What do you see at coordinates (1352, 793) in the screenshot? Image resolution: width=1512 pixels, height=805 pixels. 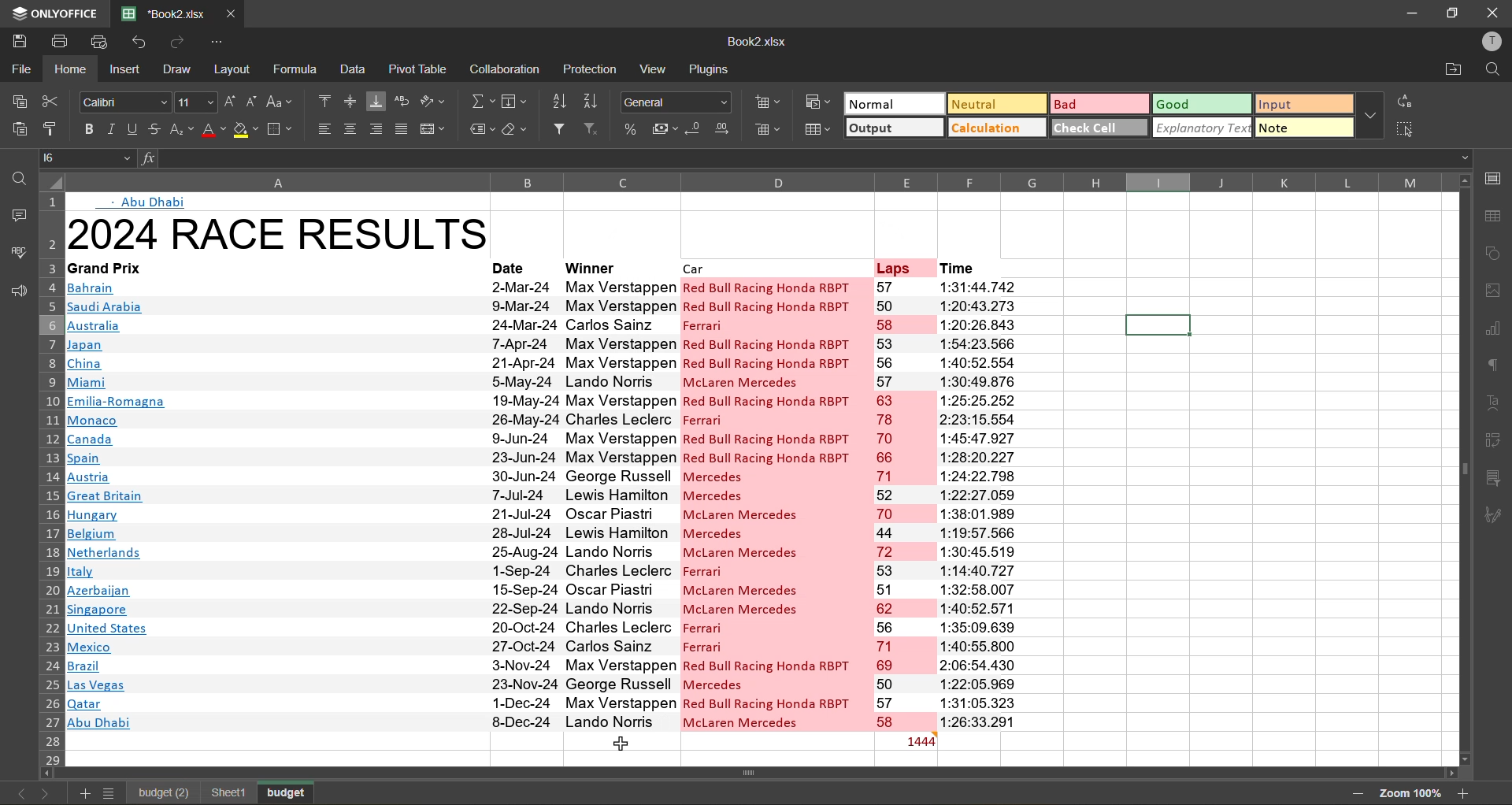 I see `zoom out` at bounding box center [1352, 793].